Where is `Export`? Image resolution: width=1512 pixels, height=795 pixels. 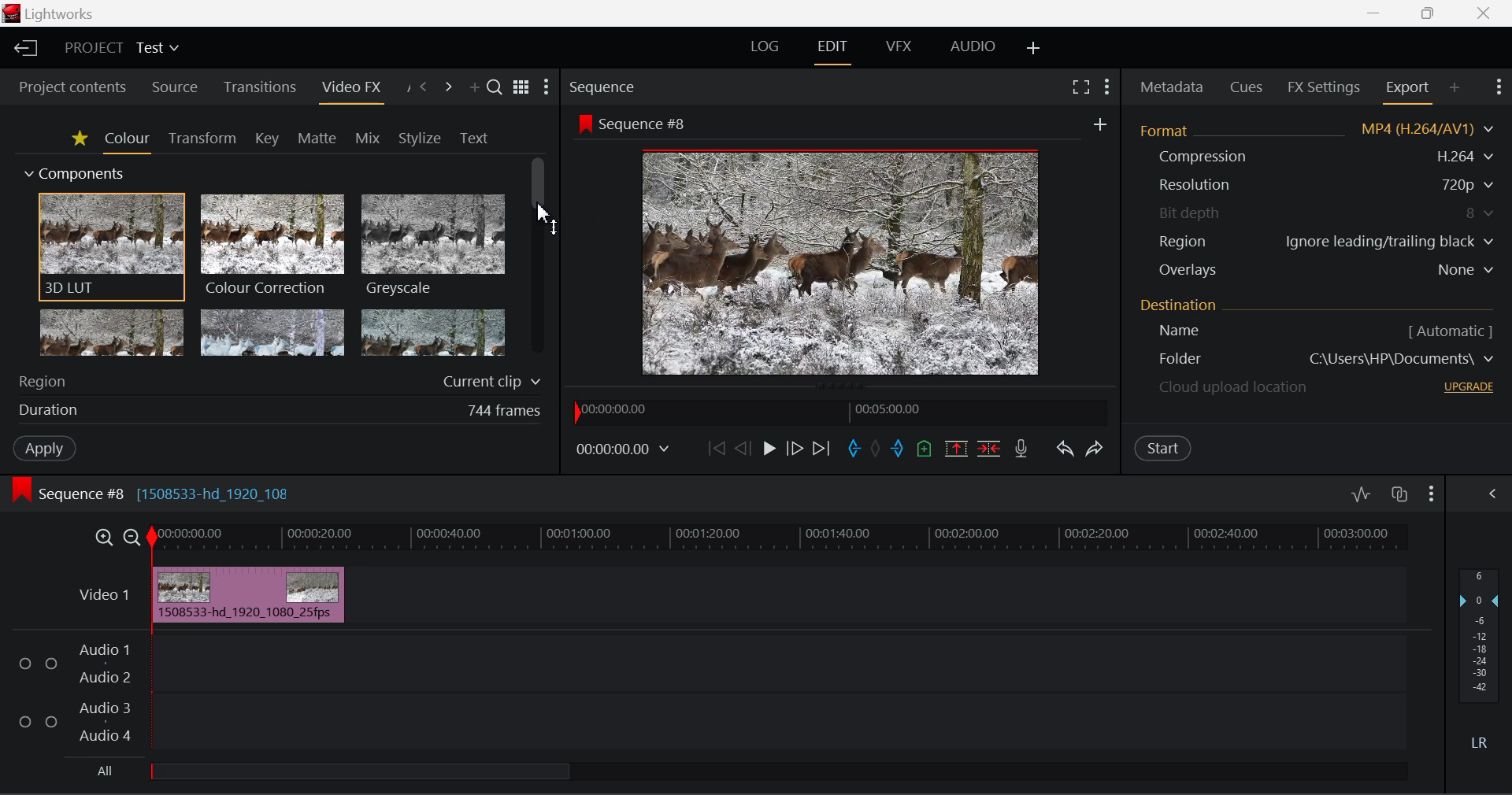 Export is located at coordinates (1409, 92).